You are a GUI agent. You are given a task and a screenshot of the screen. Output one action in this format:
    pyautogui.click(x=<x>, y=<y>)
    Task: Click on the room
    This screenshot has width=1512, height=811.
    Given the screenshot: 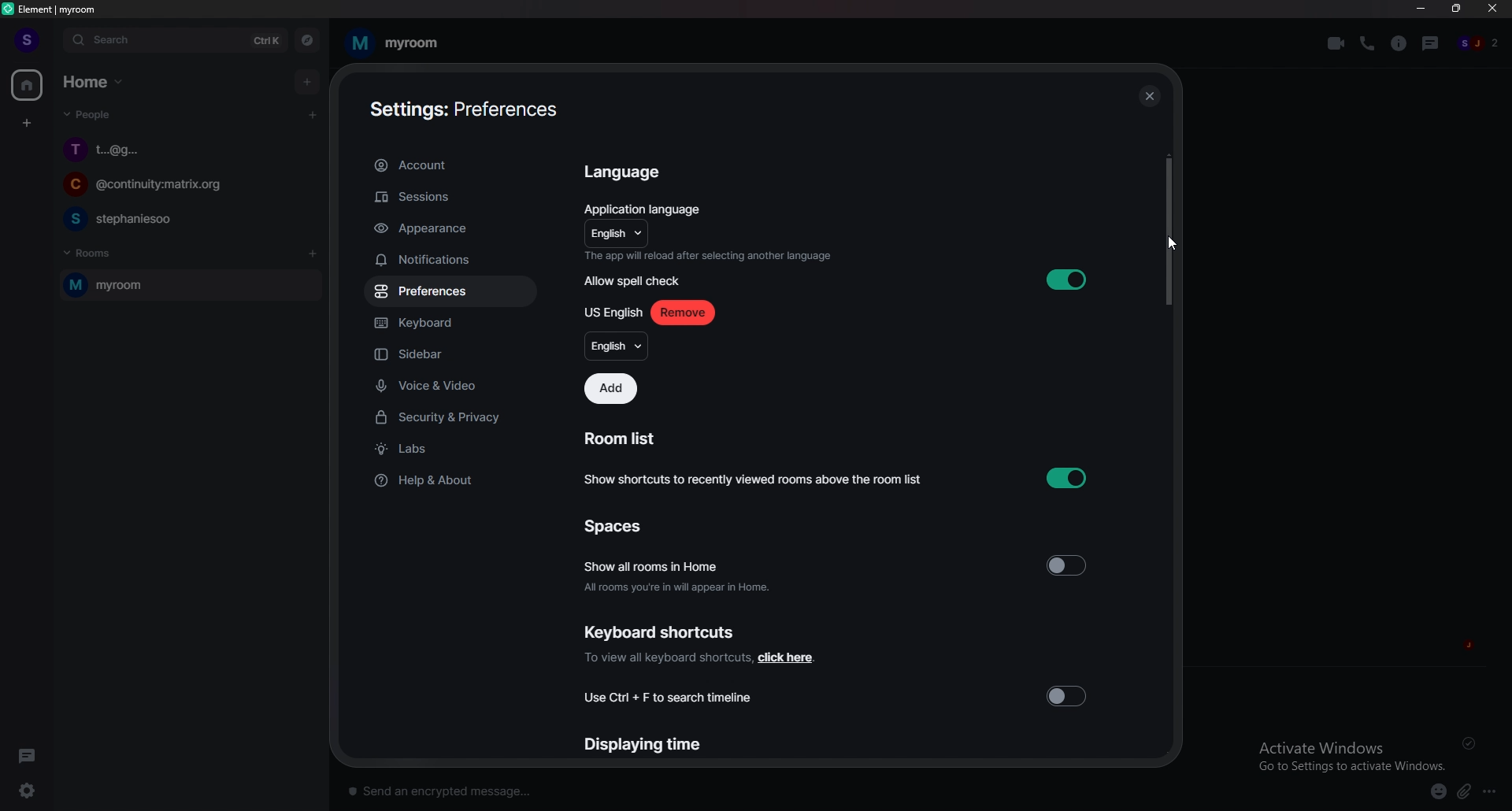 What is the action you would take?
    pyautogui.click(x=187, y=286)
    